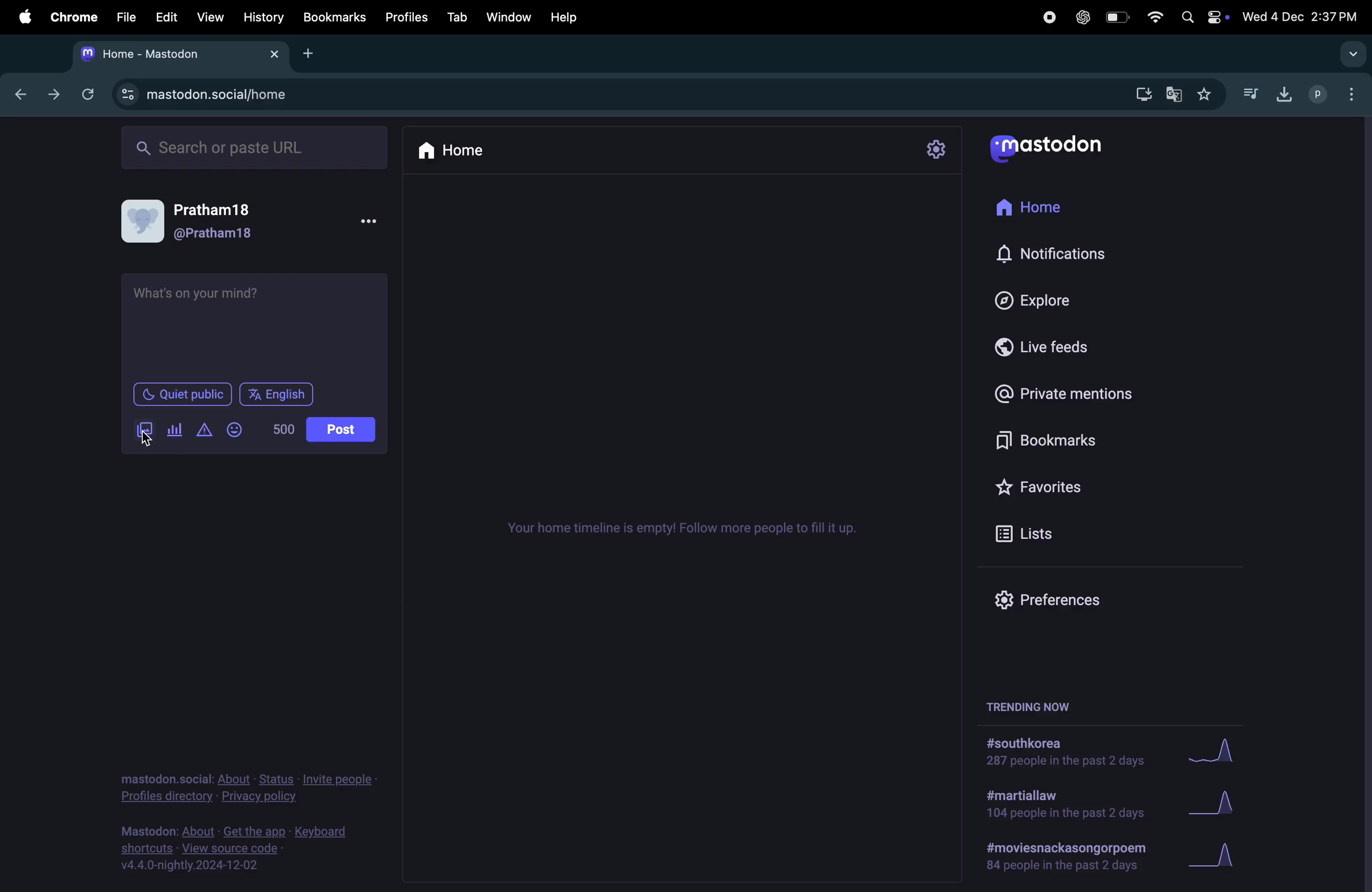 The height and width of the screenshot is (892, 1372). What do you see at coordinates (163, 16) in the screenshot?
I see `Edit` at bounding box center [163, 16].